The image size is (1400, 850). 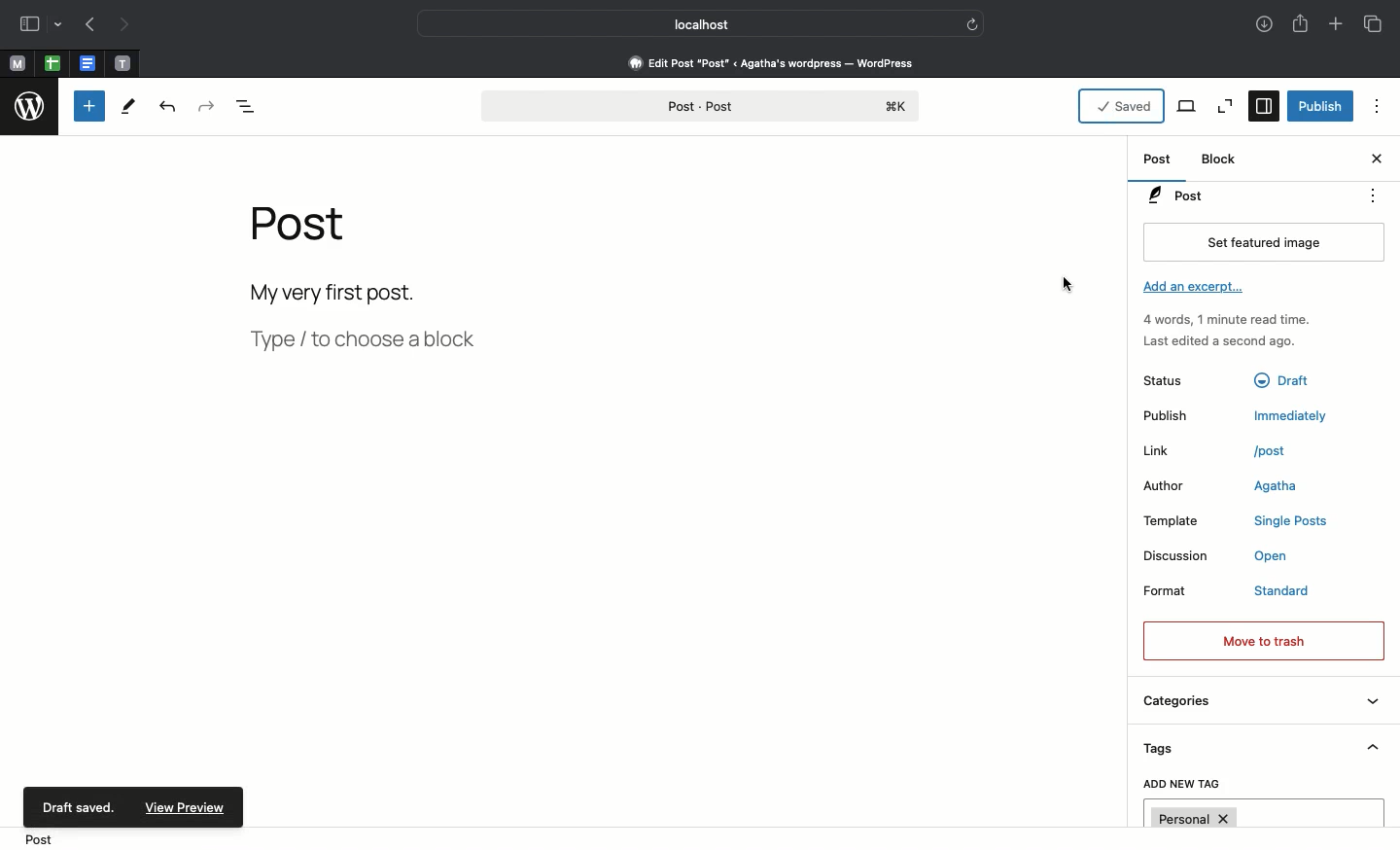 What do you see at coordinates (1275, 487) in the screenshot?
I see `Agatha` at bounding box center [1275, 487].